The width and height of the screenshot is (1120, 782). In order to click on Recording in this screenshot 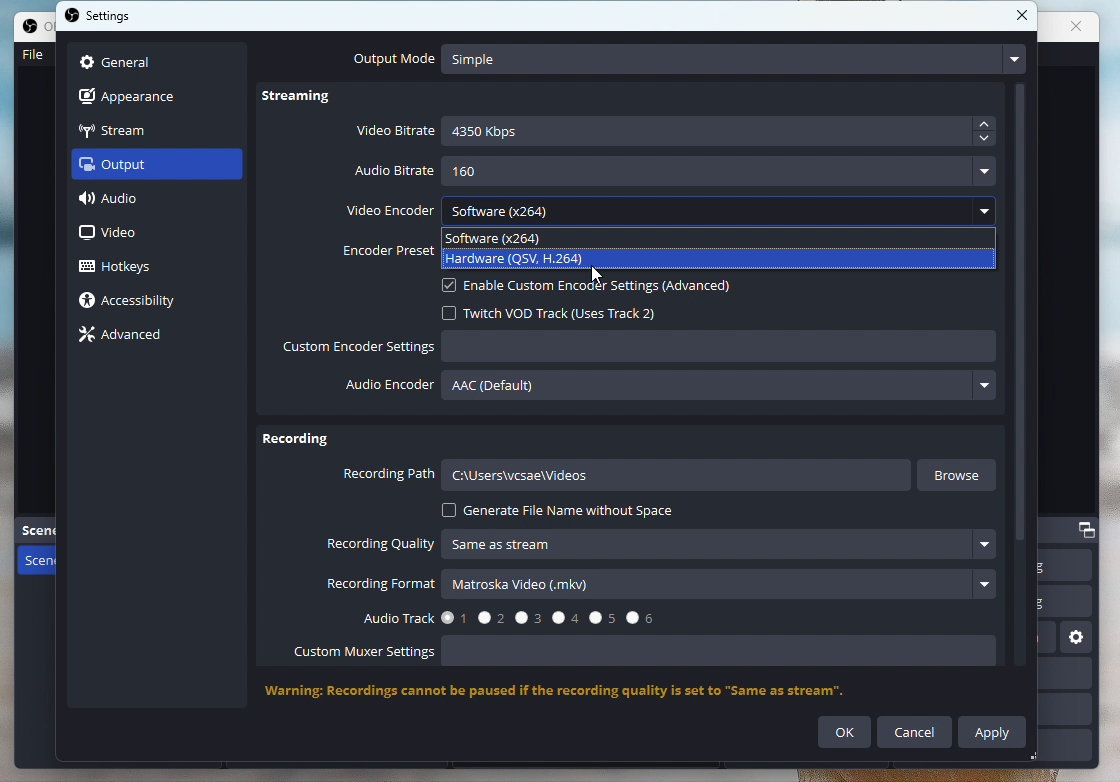, I will do `click(296, 442)`.